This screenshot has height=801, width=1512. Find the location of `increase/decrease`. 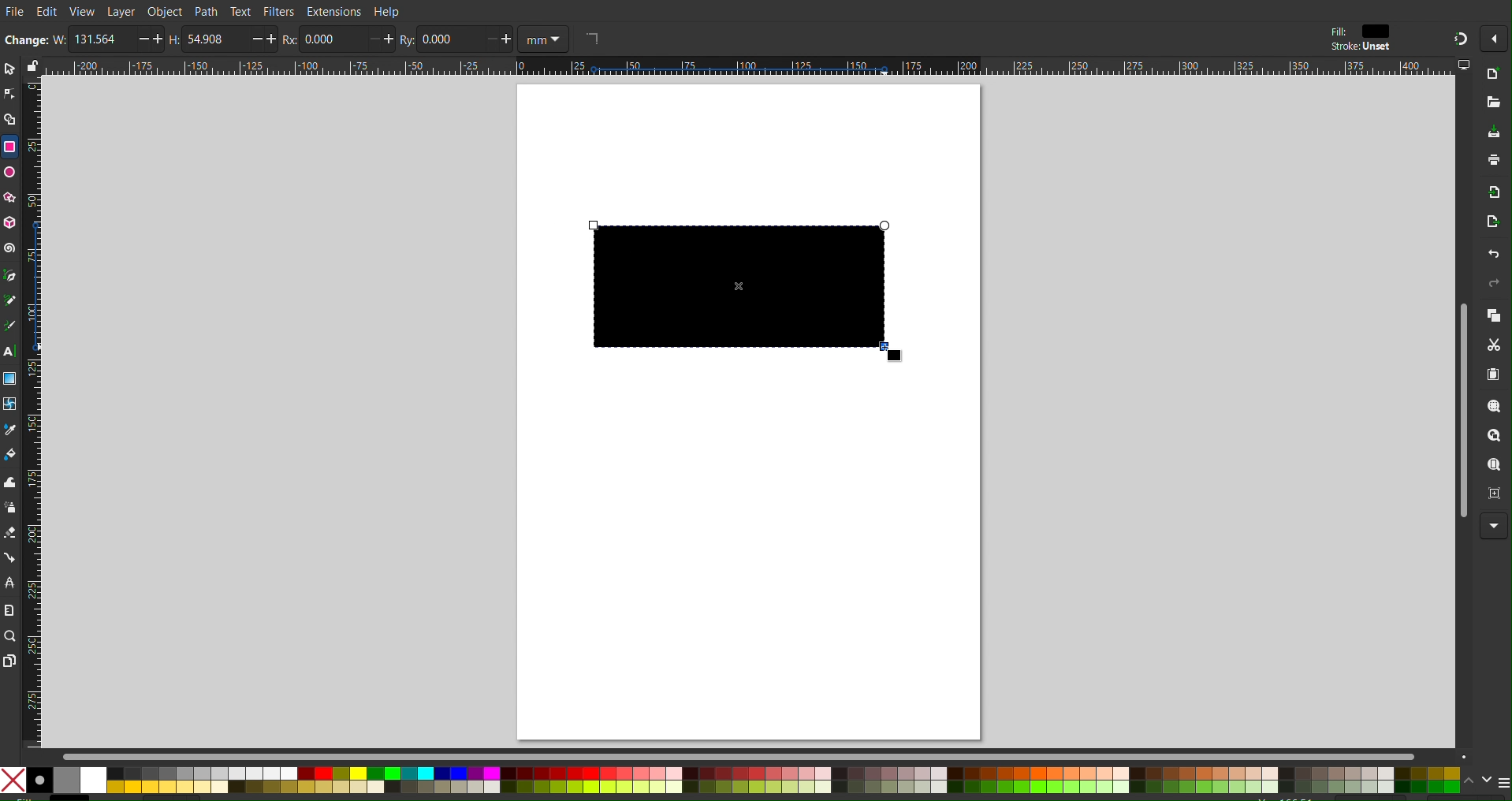

increase/decrease is located at coordinates (266, 39).